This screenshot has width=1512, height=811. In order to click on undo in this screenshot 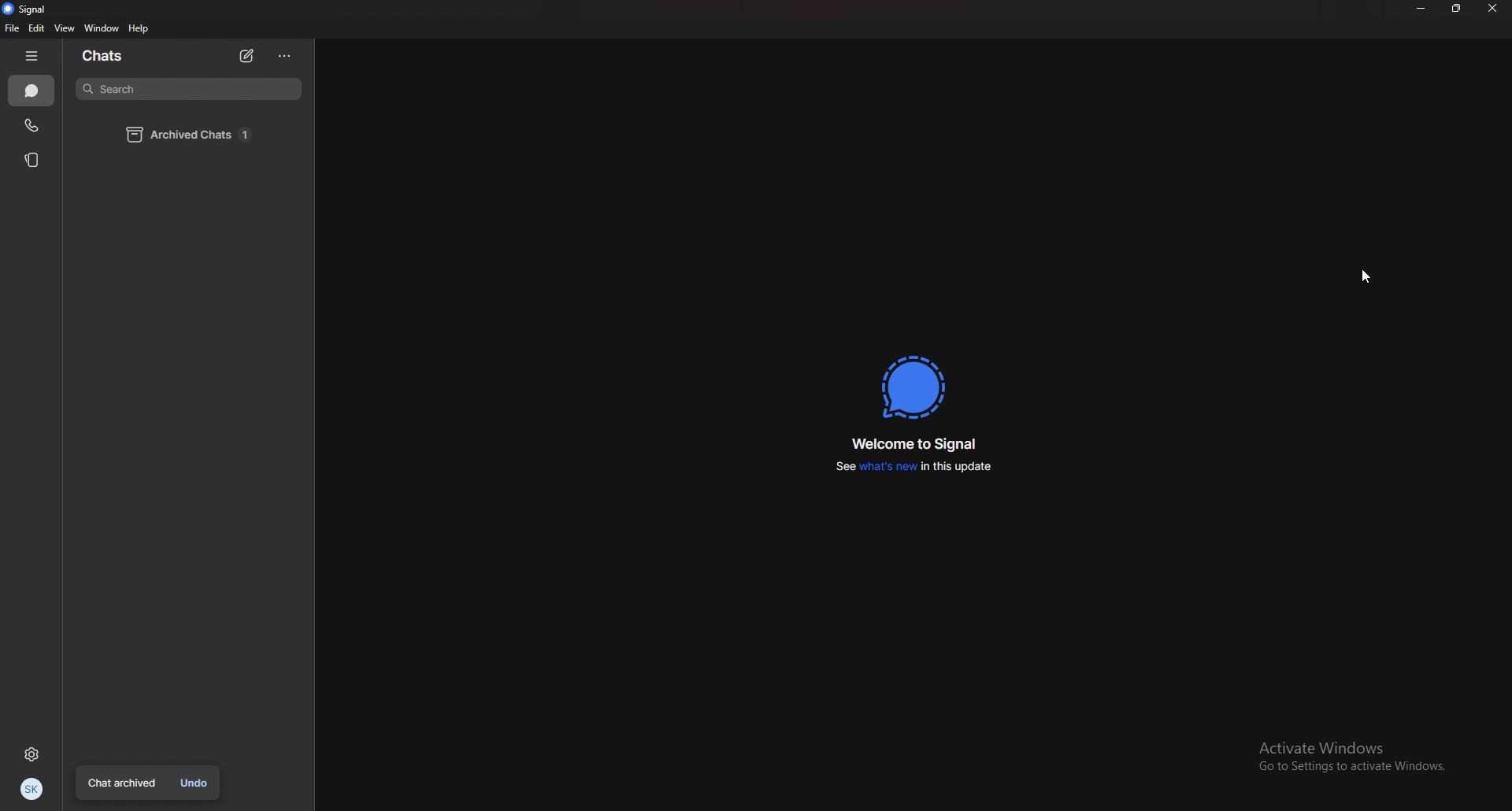, I will do `click(195, 783)`.